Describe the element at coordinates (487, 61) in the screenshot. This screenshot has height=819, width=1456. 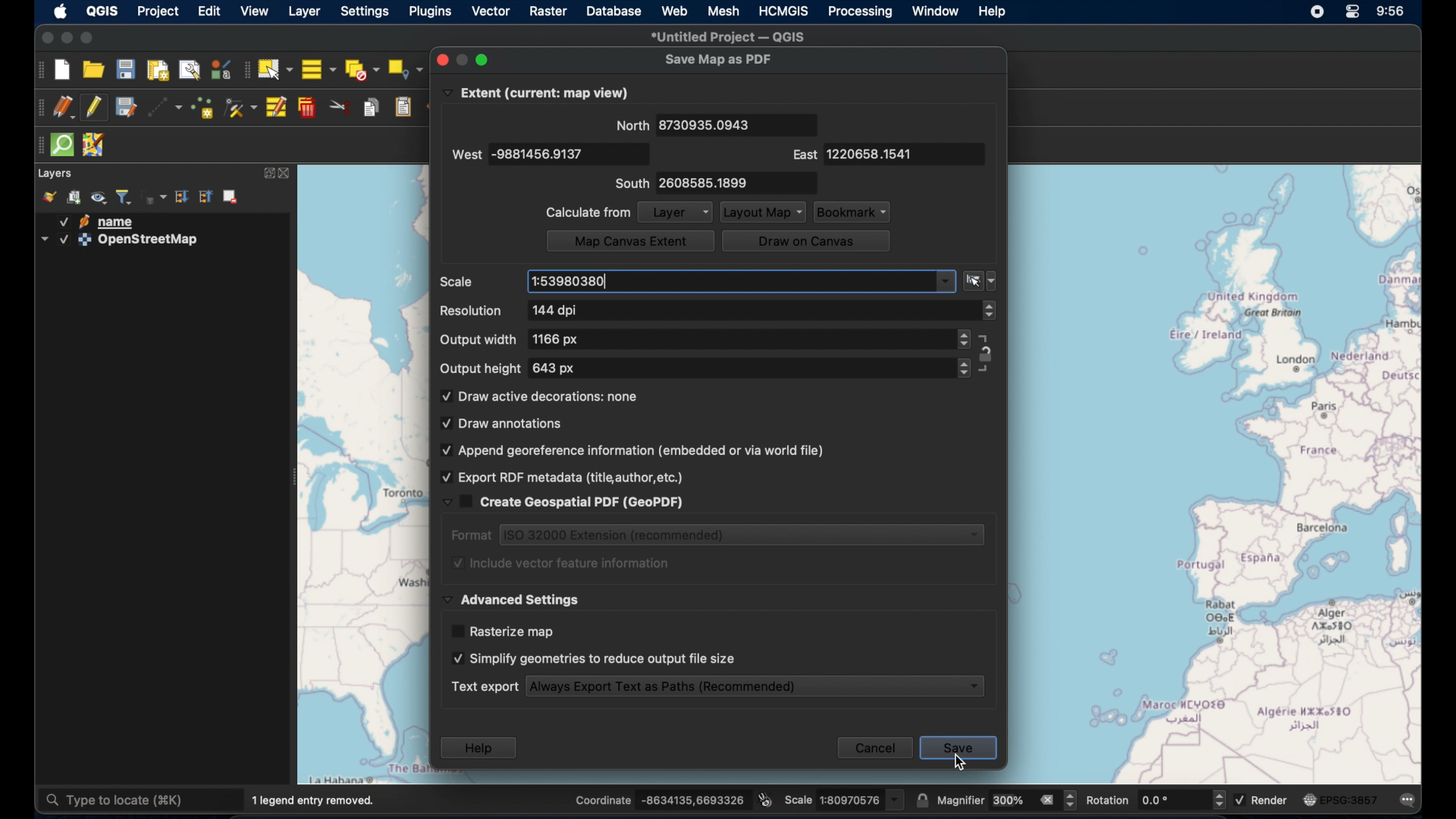
I see `maximize` at that location.